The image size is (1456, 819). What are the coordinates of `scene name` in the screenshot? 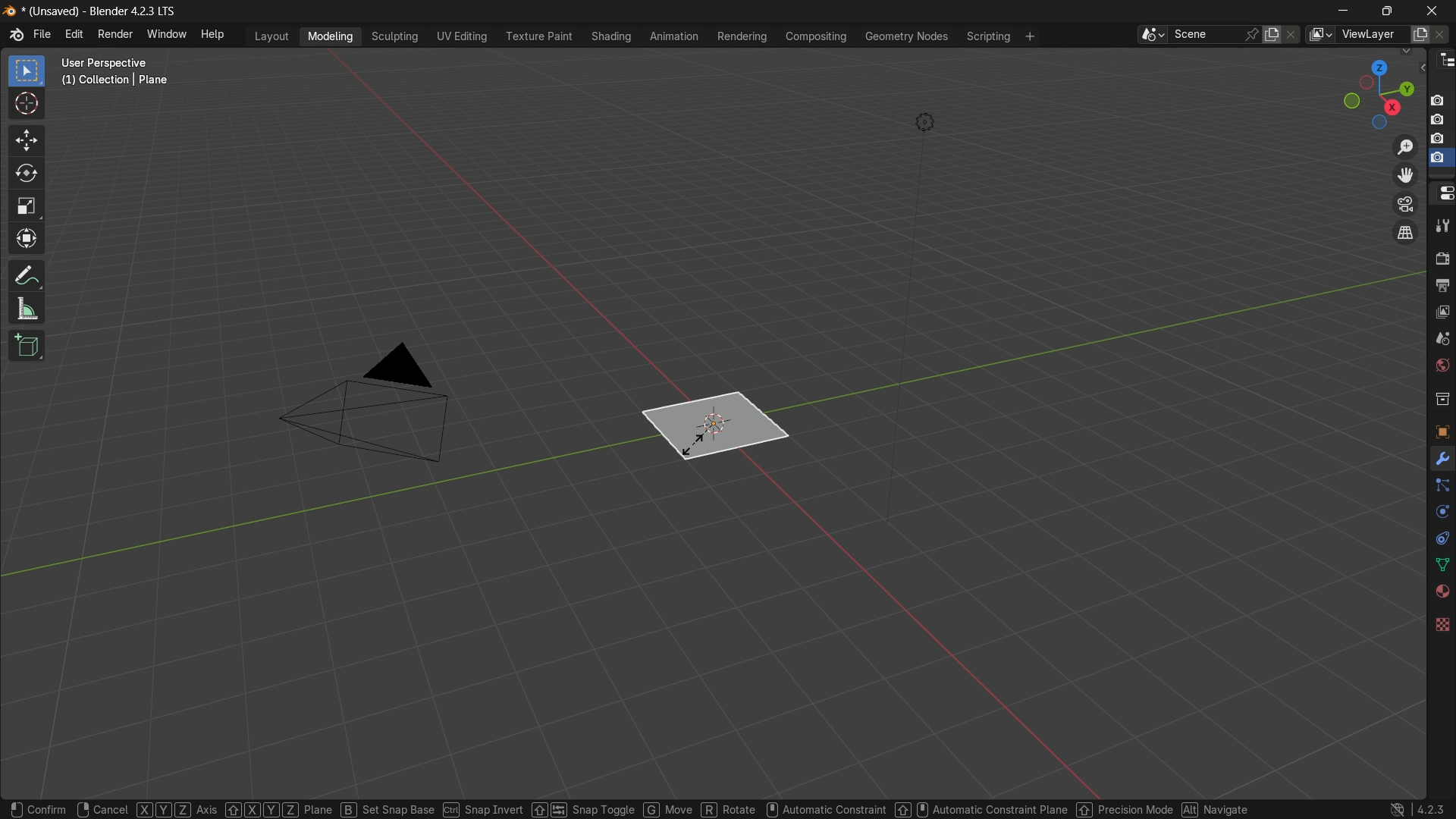 It's located at (1200, 33).